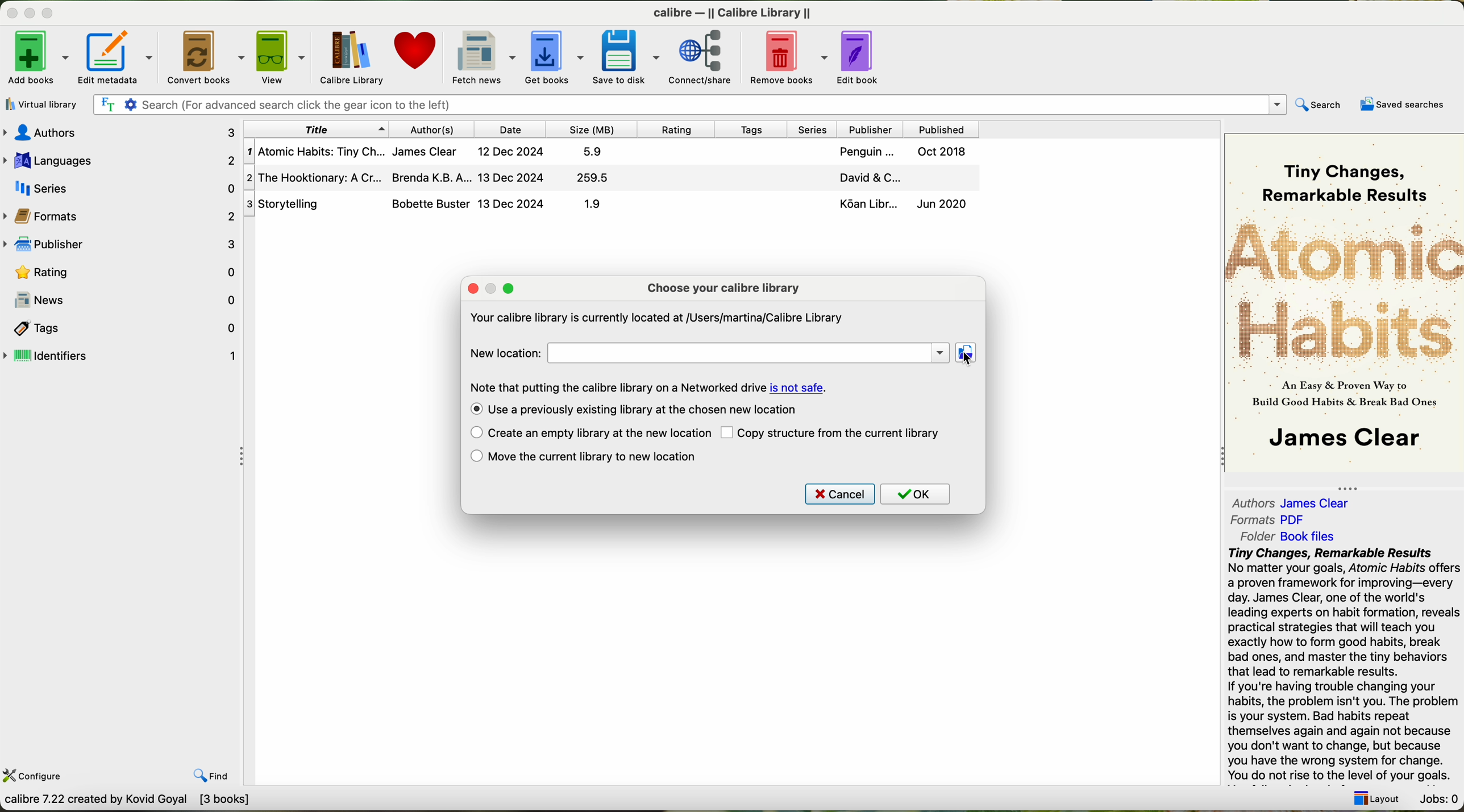  What do you see at coordinates (554, 55) in the screenshot?
I see `get books` at bounding box center [554, 55].